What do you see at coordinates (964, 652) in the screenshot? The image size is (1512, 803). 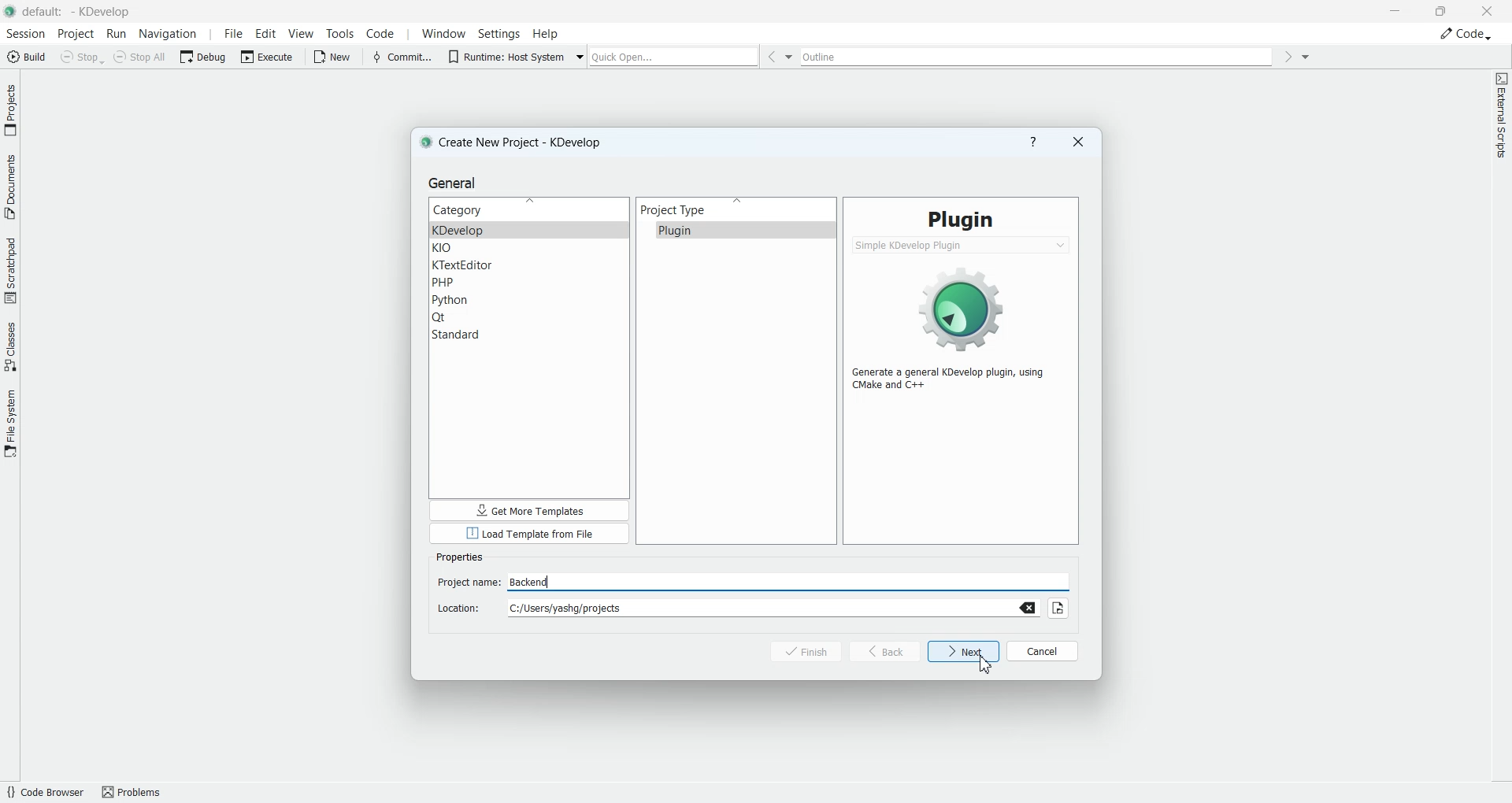 I see `next` at bounding box center [964, 652].